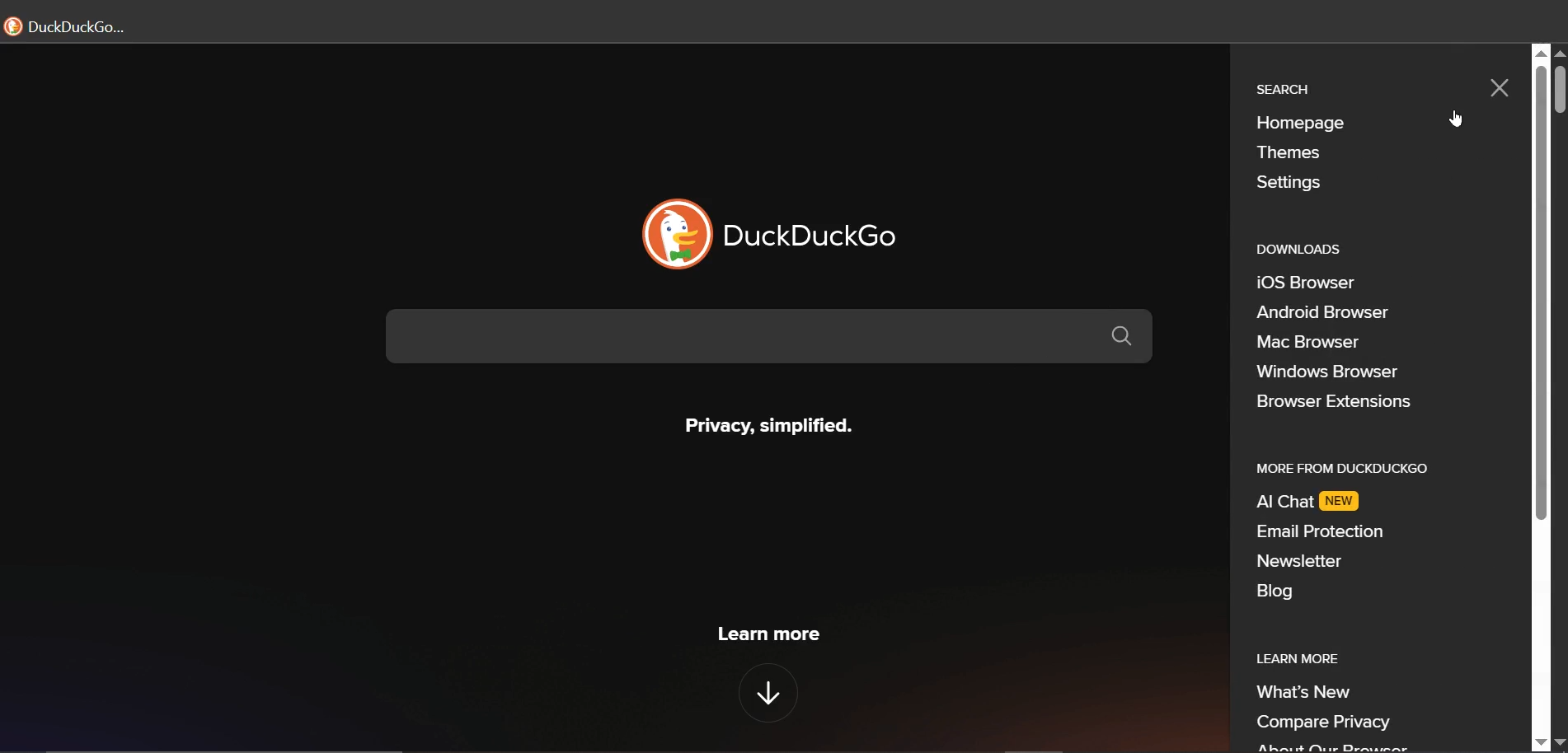  I want to click on MORE FROM DUCKDUCKGO, so click(1344, 469).